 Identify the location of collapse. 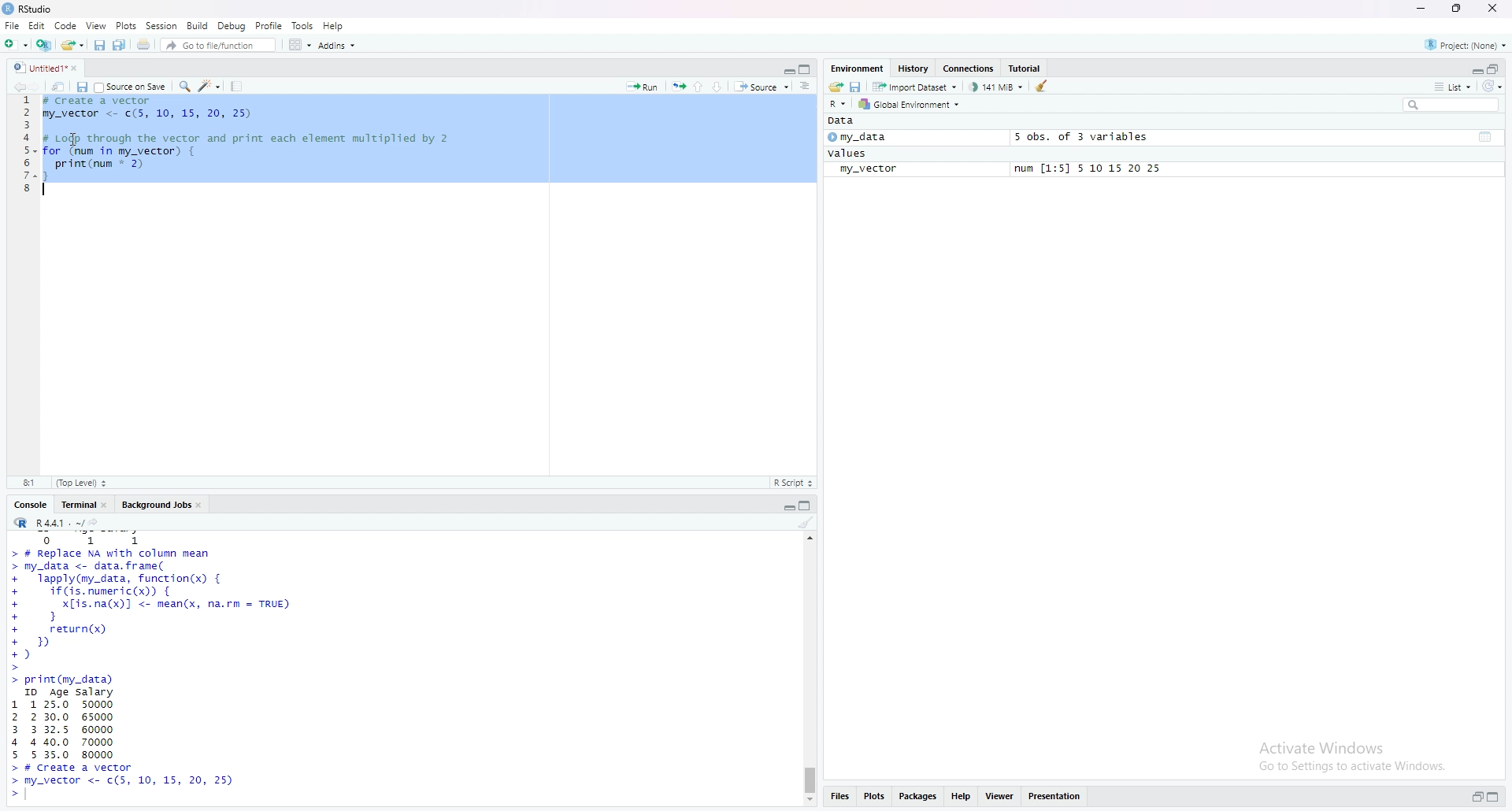
(1488, 137).